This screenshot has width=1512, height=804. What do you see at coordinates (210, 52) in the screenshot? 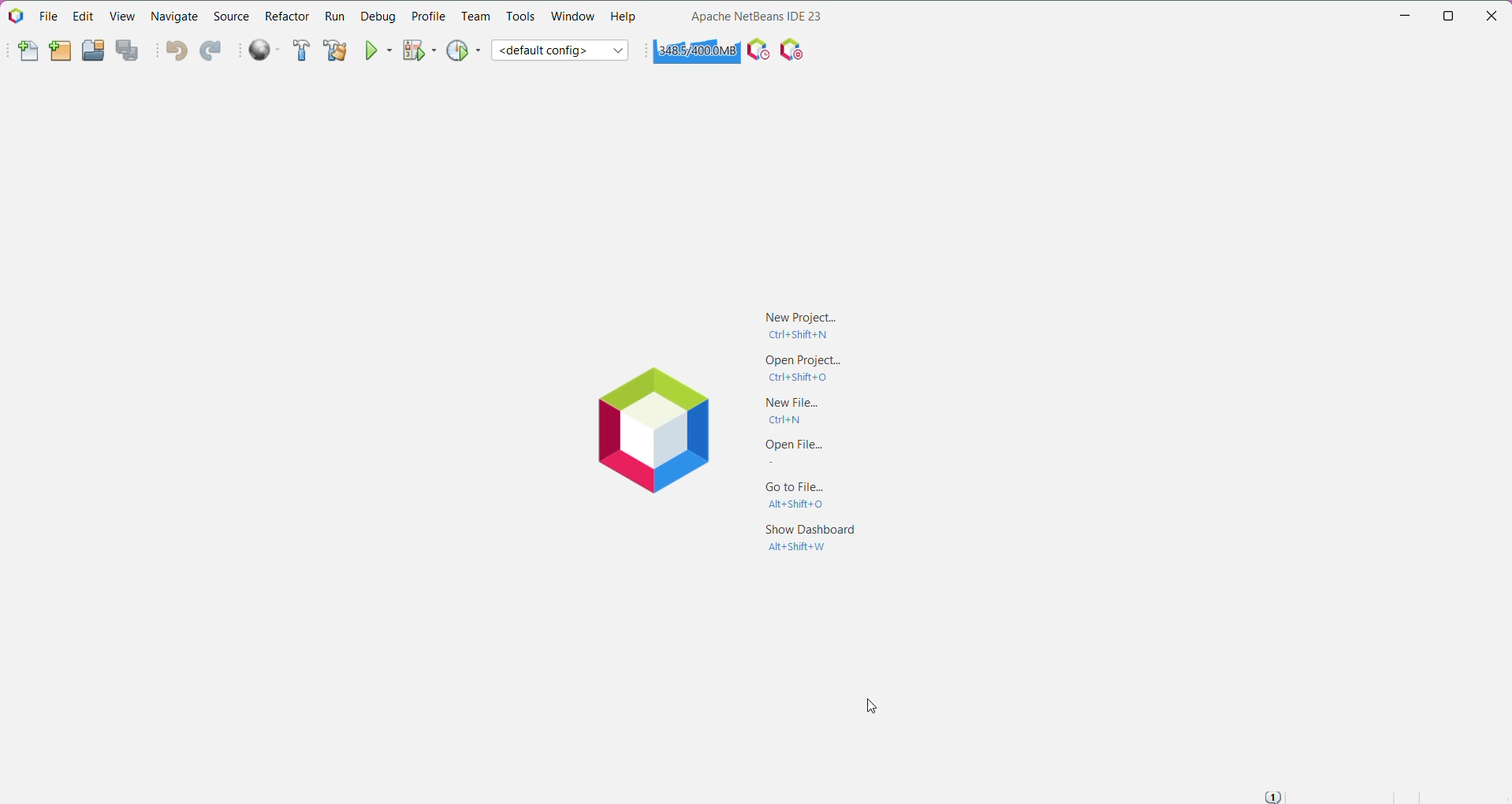
I see `Redo` at bounding box center [210, 52].